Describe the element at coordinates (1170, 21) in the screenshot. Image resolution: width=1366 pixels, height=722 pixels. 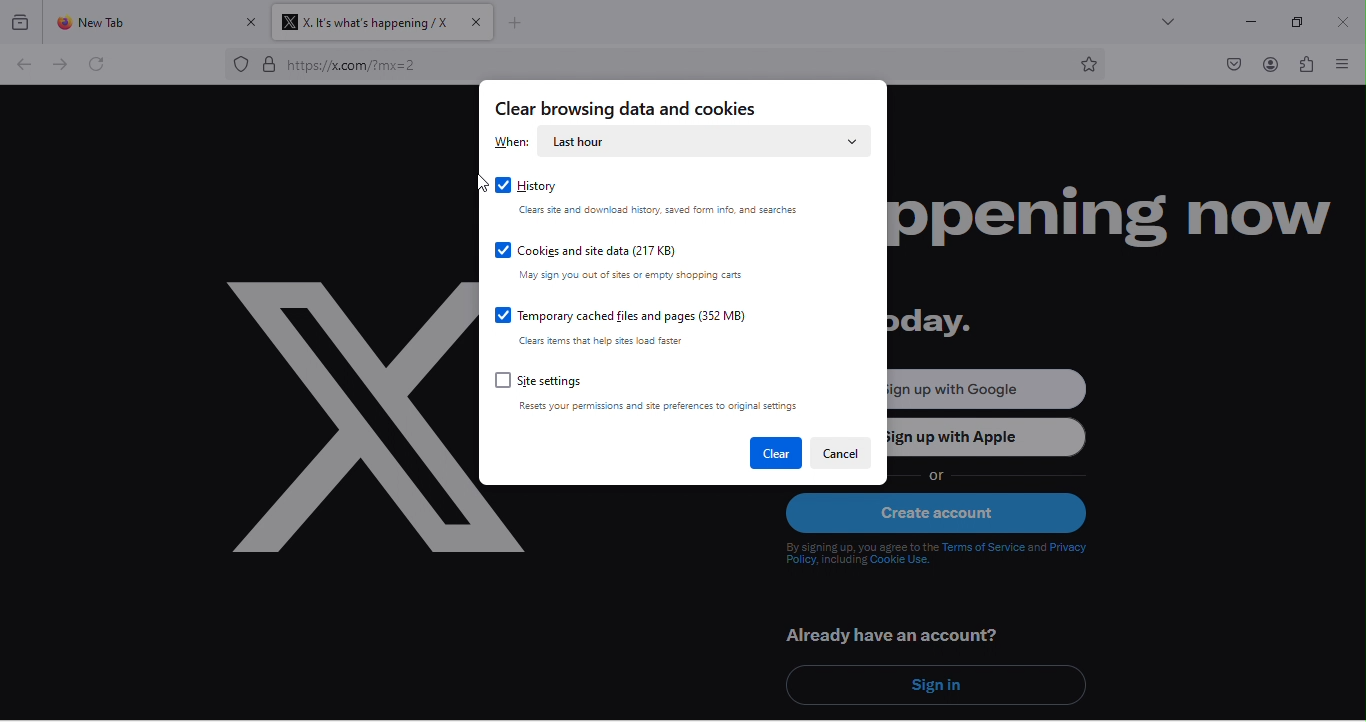
I see `drop down` at that location.